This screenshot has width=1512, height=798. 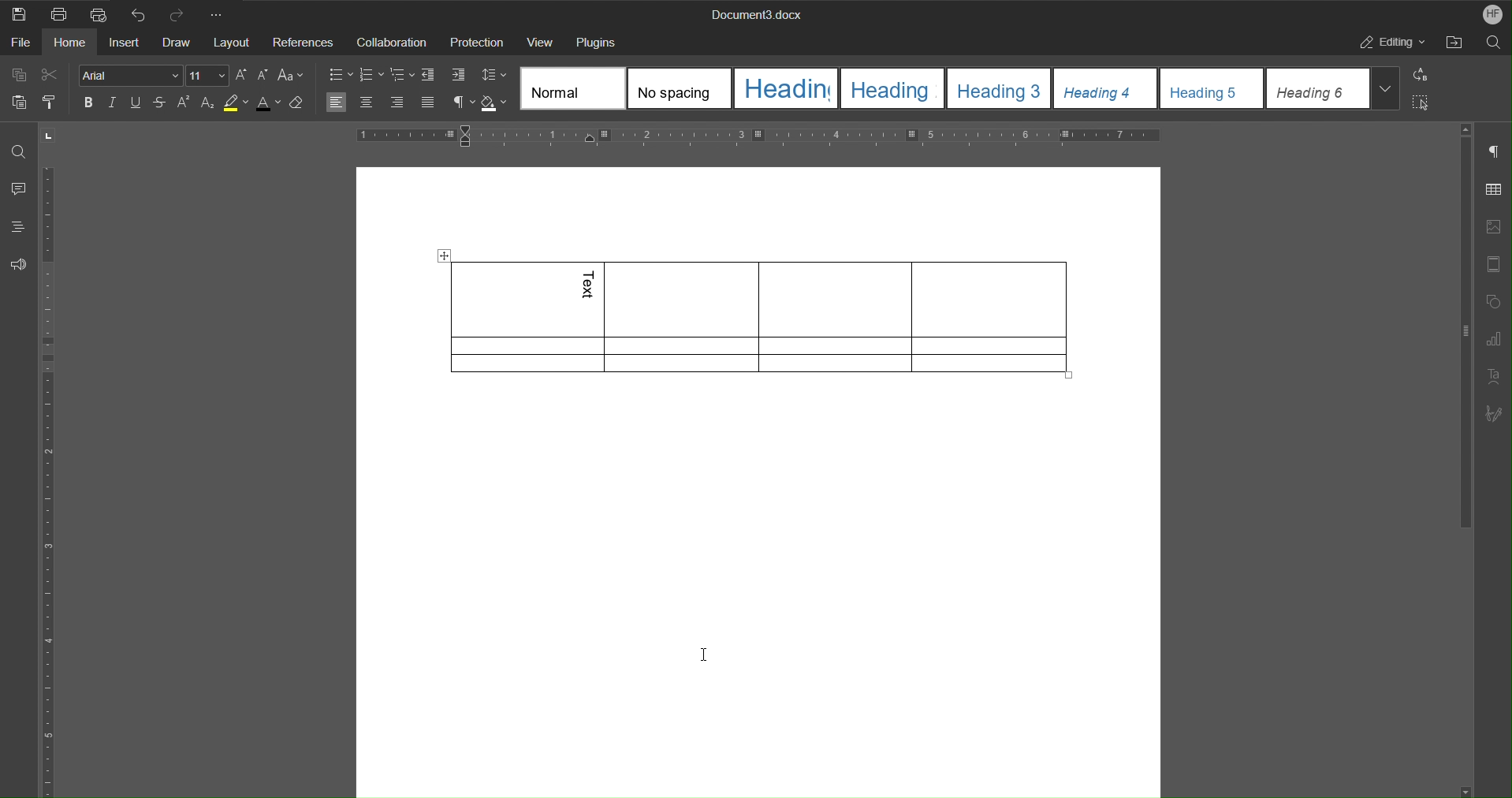 What do you see at coordinates (476, 41) in the screenshot?
I see `Protection` at bounding box center [476, 41].